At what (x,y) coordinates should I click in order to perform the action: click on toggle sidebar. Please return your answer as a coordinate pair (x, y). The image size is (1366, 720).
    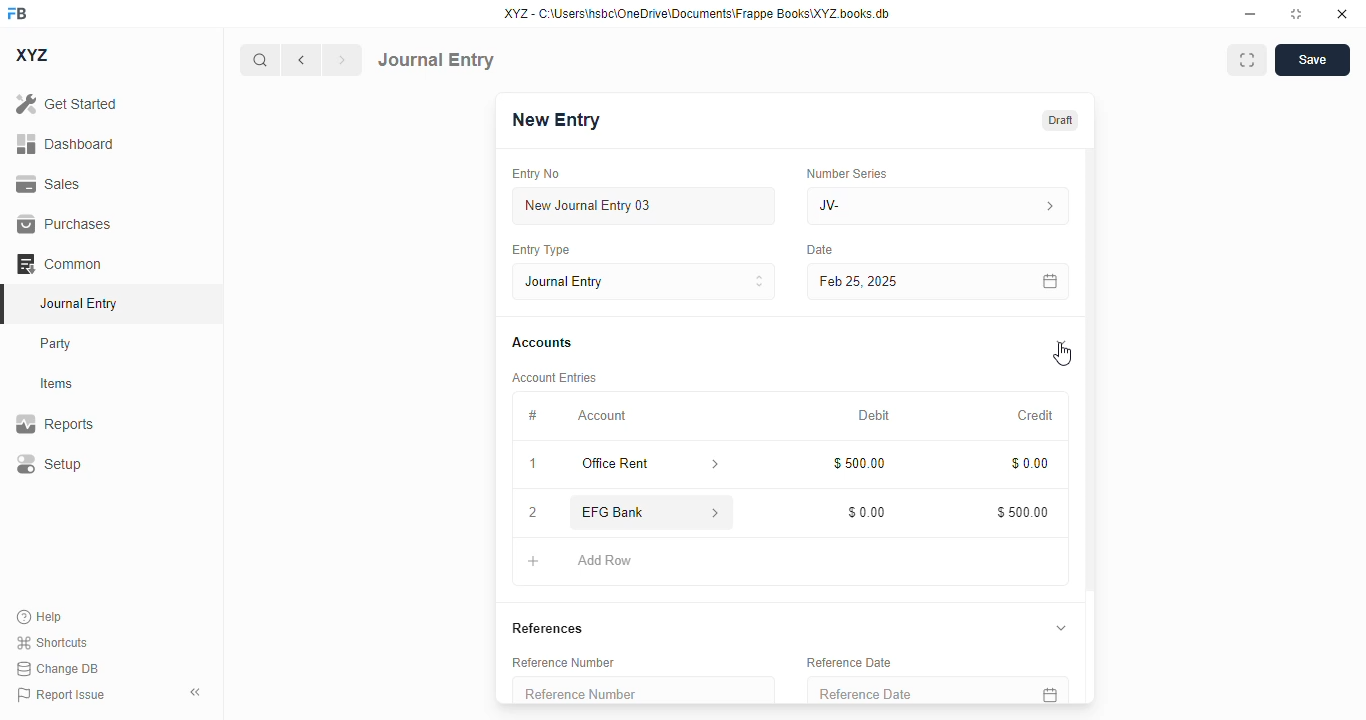
    Looking at the image, I should click on (197, 692).